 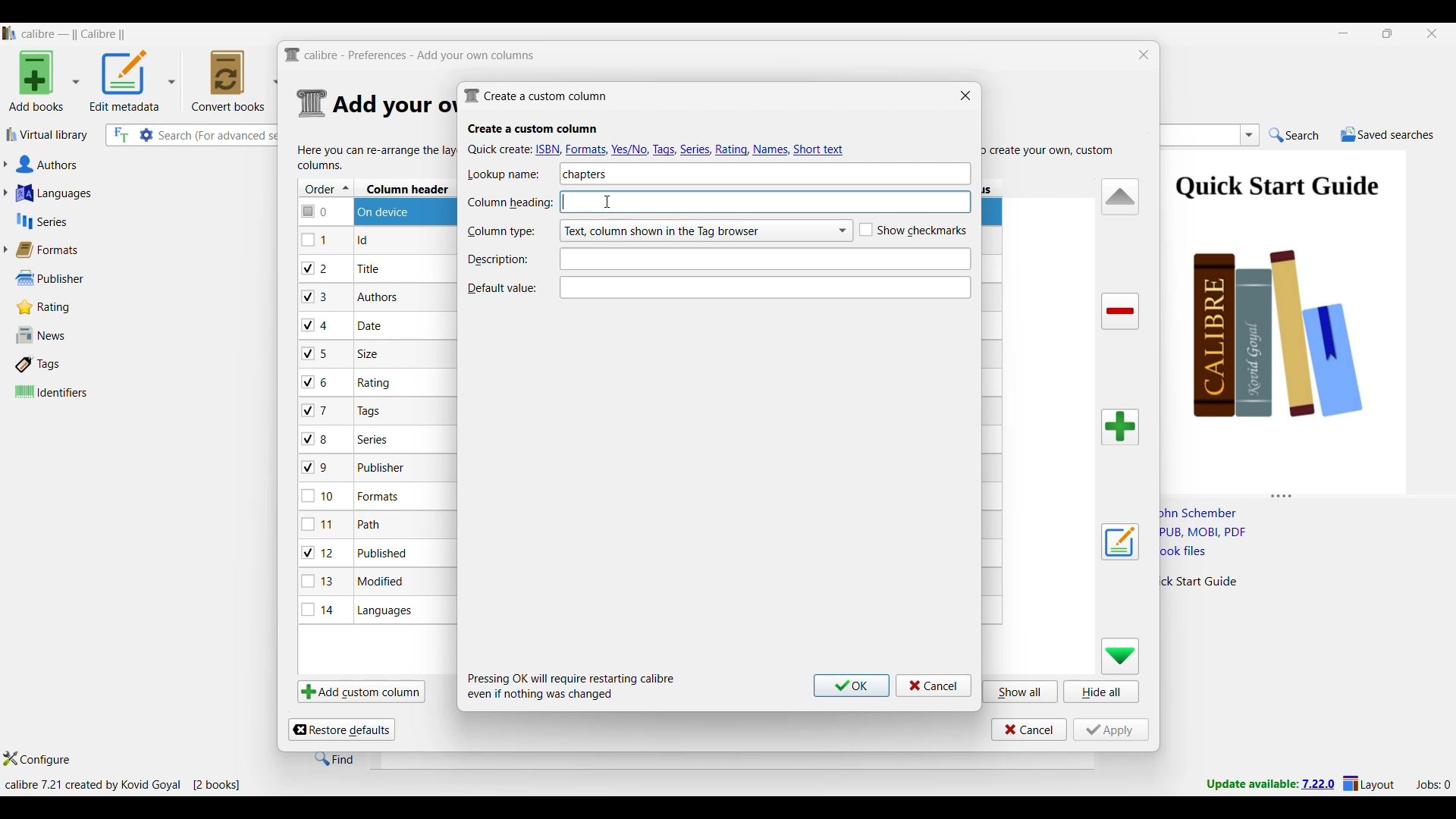 What do you see at coordinates (501, 288) in the screenshot?
I see `Indicates Default value text box` at bounding box center [501, 288].